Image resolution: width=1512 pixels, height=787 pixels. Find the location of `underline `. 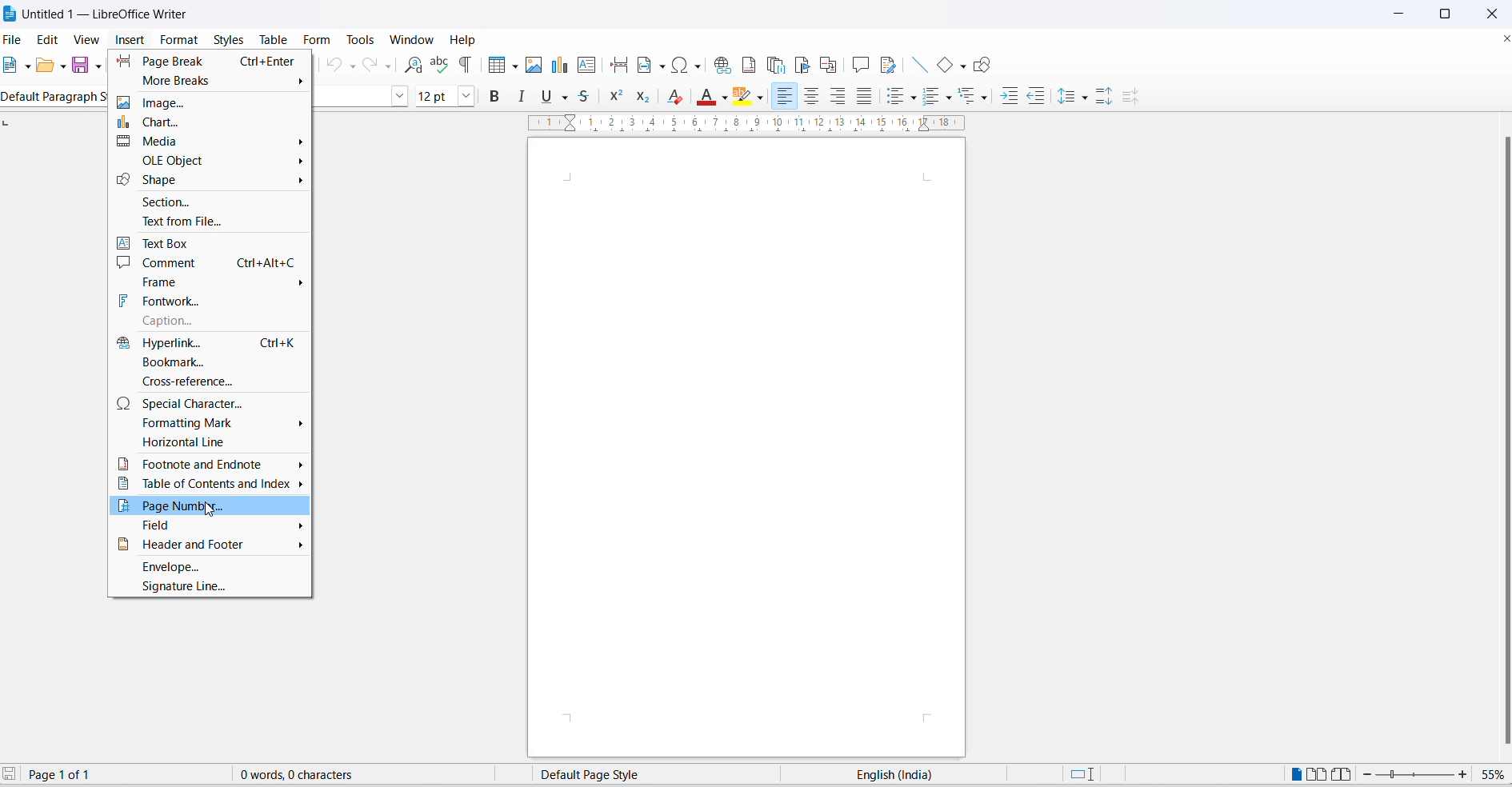

underline  is located at coordinates (544, 98).